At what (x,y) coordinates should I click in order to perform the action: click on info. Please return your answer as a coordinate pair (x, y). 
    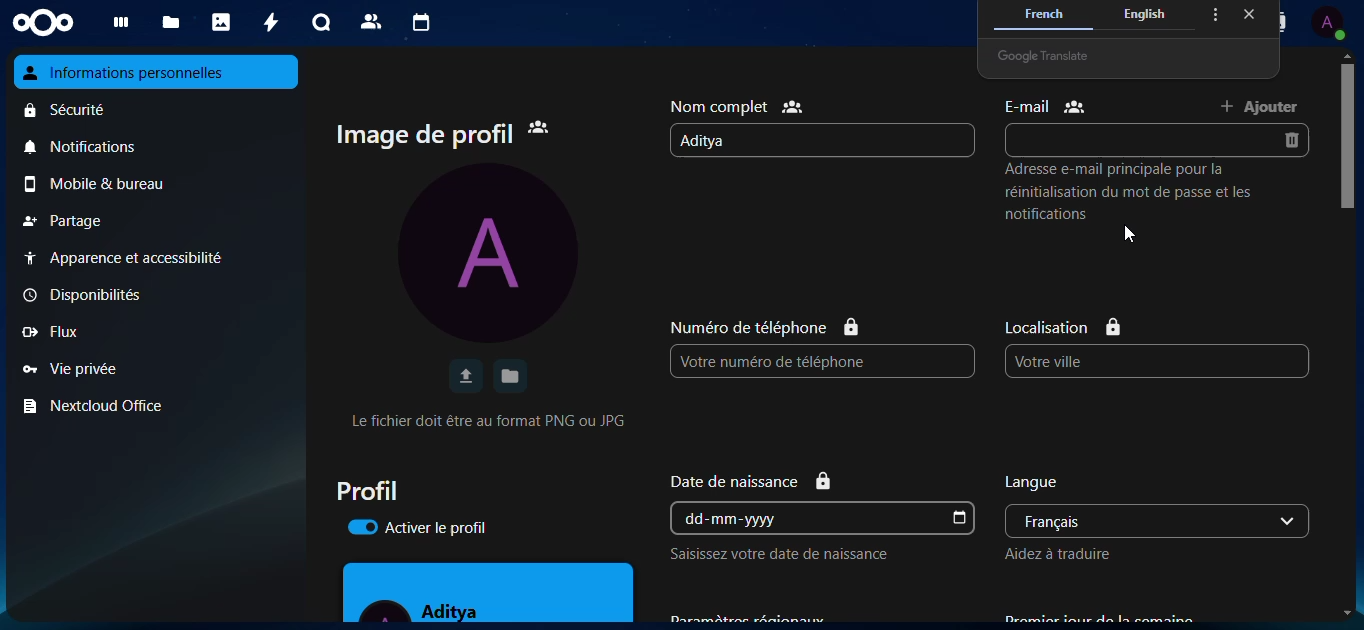
    Looking at the image, I should click on (501, 420).